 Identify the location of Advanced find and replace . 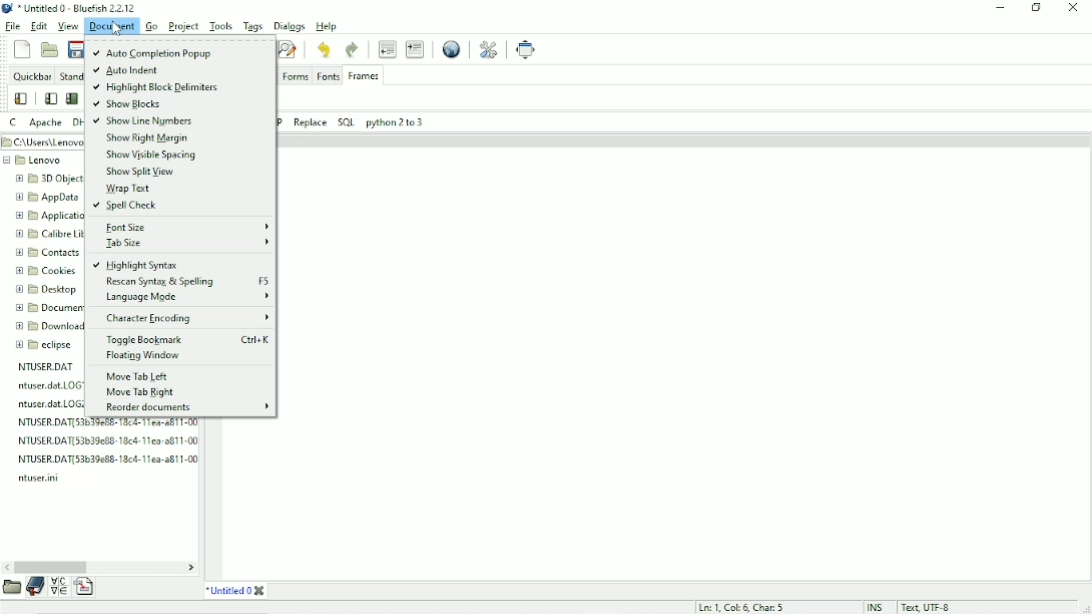
(288, 49).